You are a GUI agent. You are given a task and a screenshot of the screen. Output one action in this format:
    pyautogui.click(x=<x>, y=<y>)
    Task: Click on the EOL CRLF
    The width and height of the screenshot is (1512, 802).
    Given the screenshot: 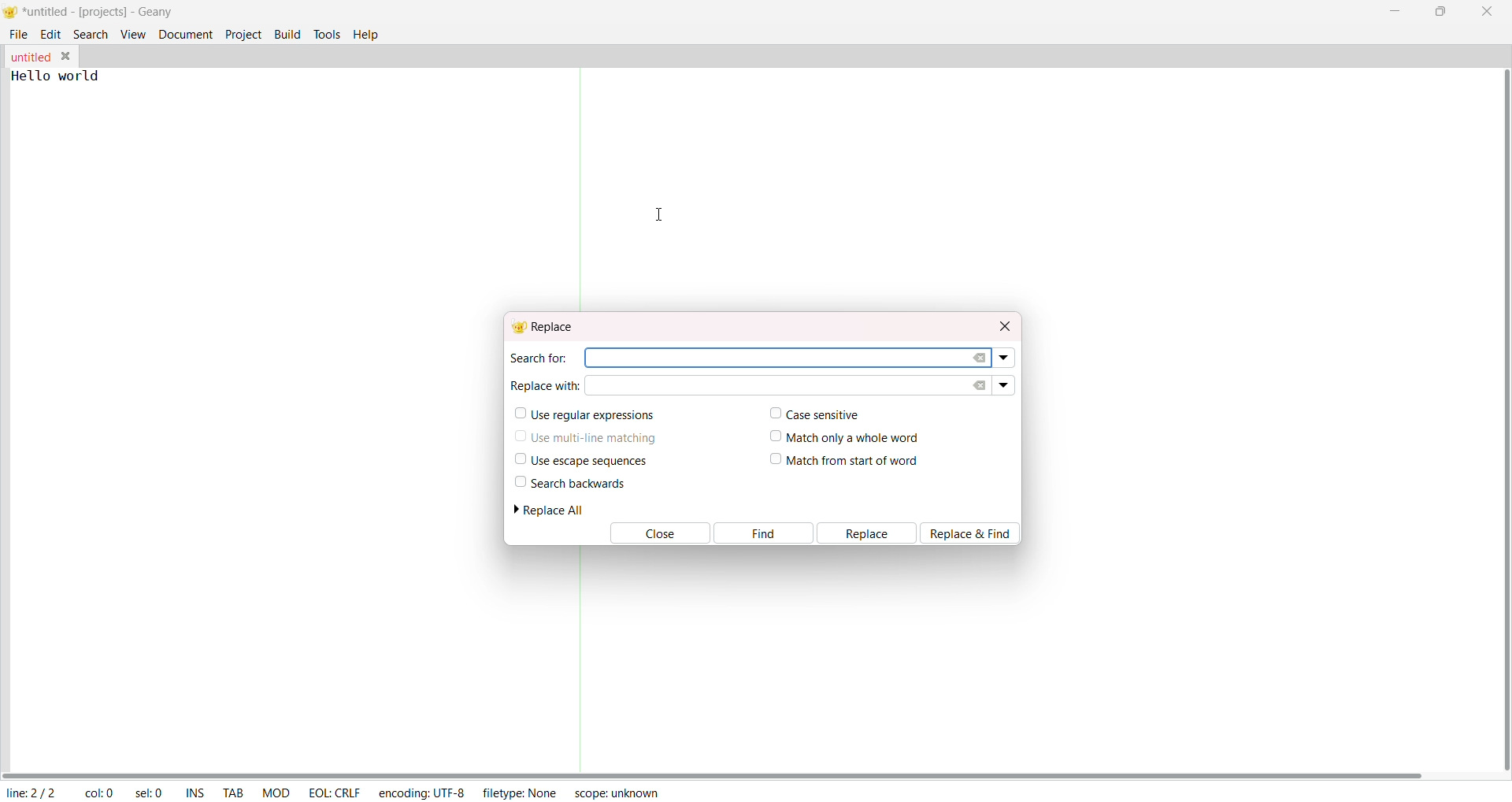 What is the action you would take?
    pyautogui.click(x=334, y=790)
    